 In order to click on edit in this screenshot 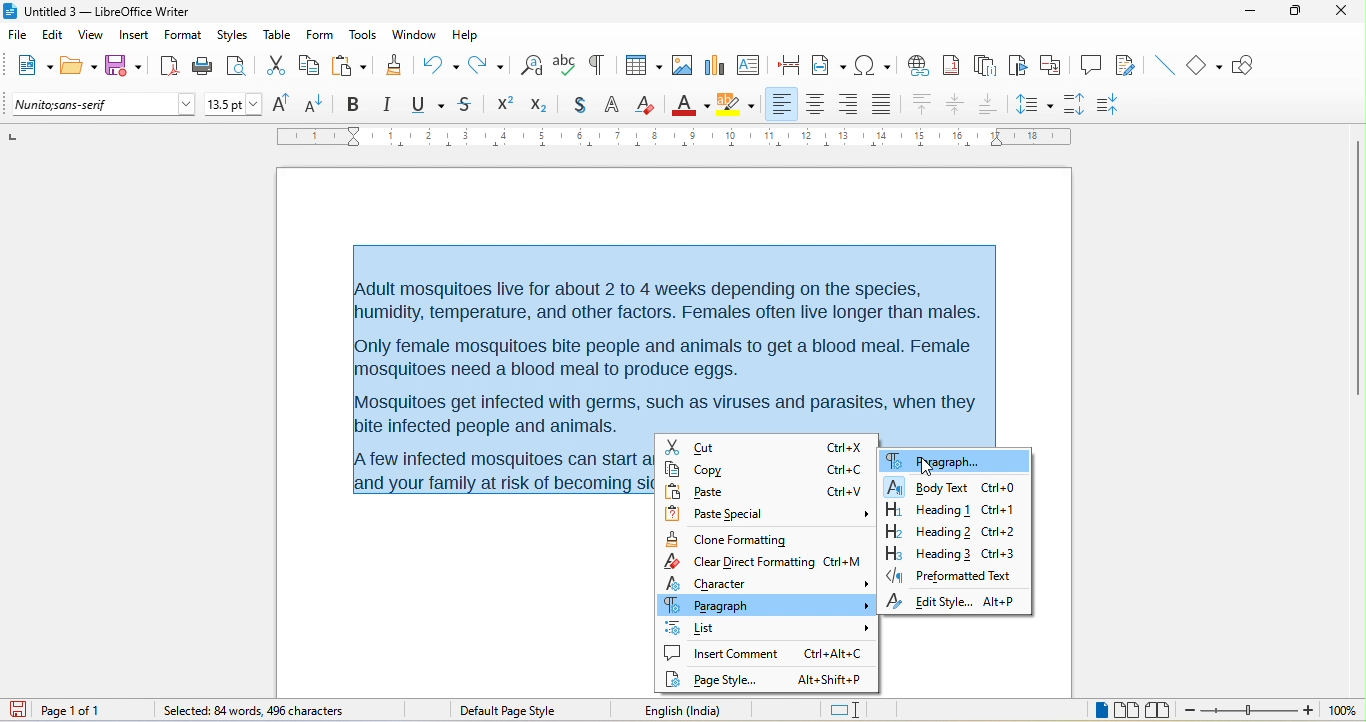, I will do `click(54, 38)`.